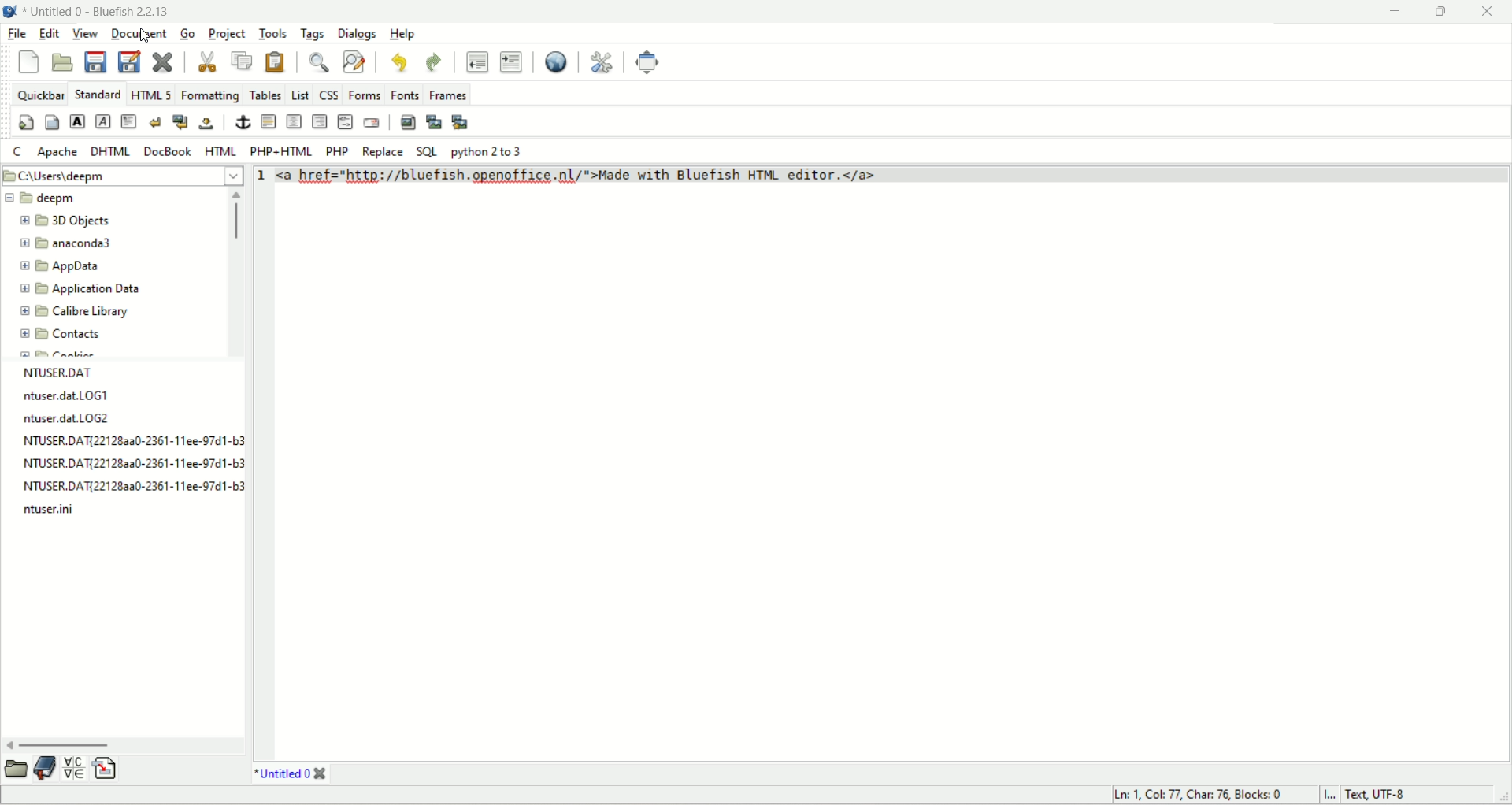  I want to click on documentation, so click(46, 770).